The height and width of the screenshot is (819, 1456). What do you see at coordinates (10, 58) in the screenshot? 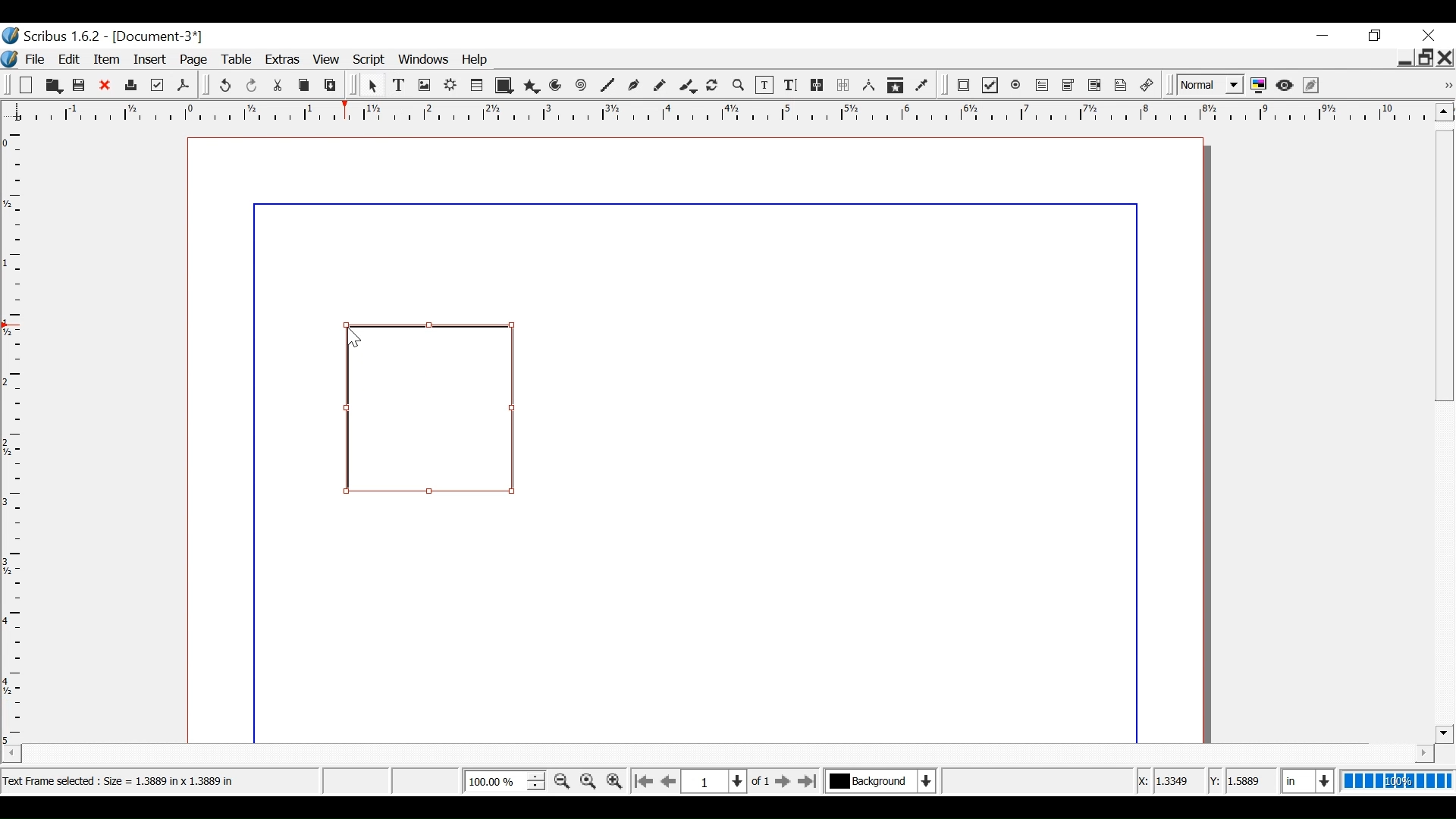
I see `Logo` at bounding box center [10, 58].